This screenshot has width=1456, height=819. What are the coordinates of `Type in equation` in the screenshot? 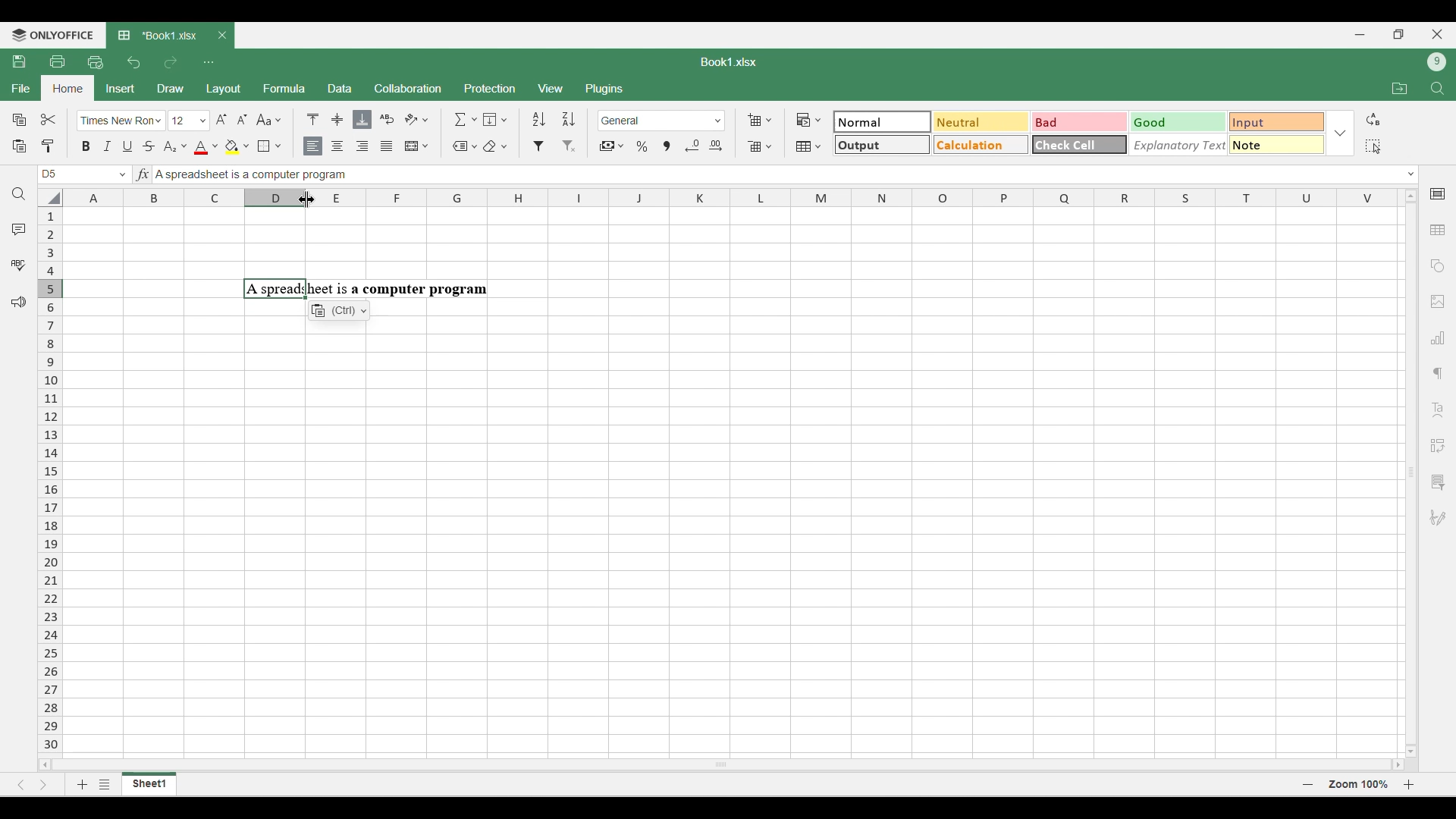 It's located at (142, 174).